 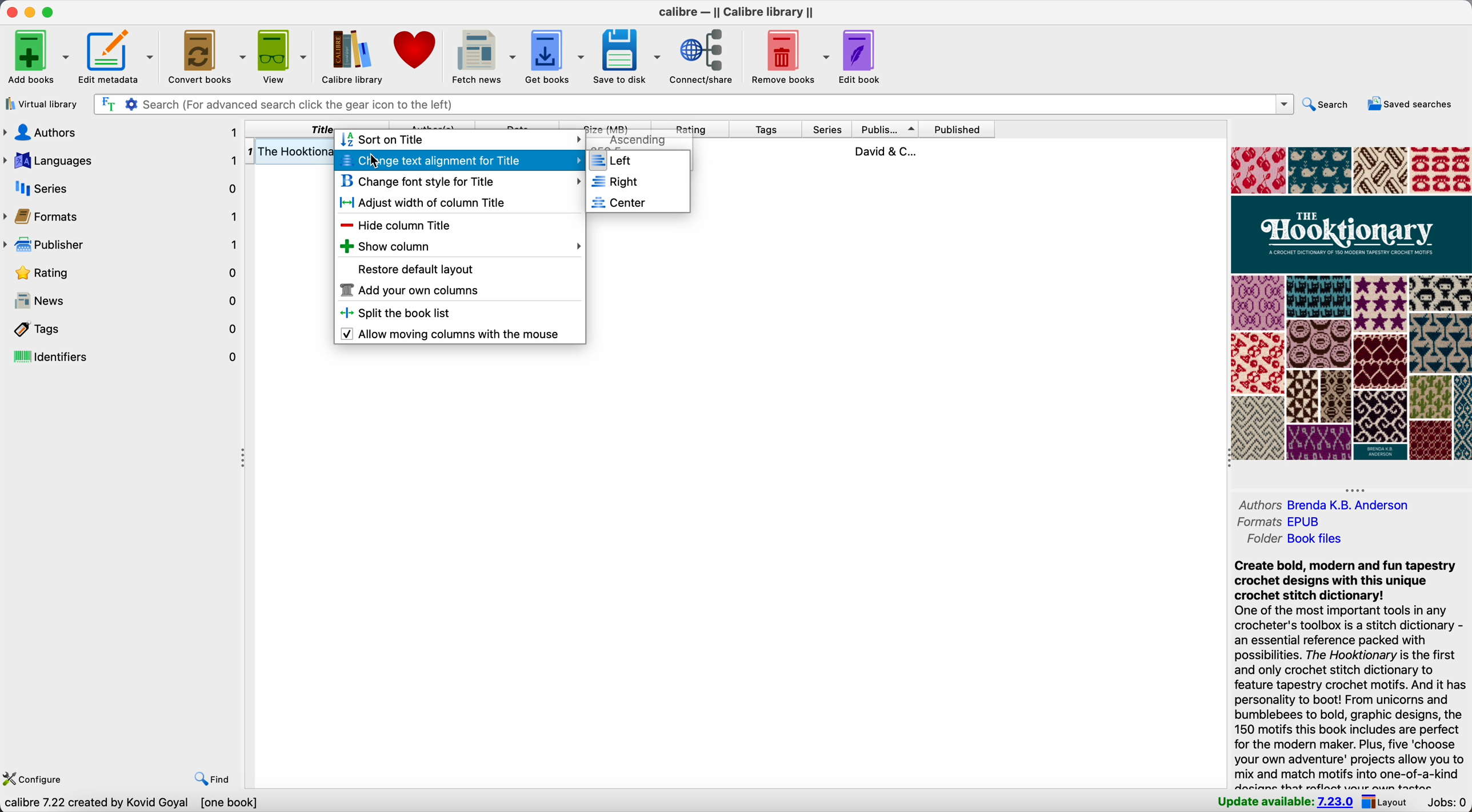 What do you see at coordinates (863, 56) in the screenshot?
I see `edit book` at bounding box center [863, 56].